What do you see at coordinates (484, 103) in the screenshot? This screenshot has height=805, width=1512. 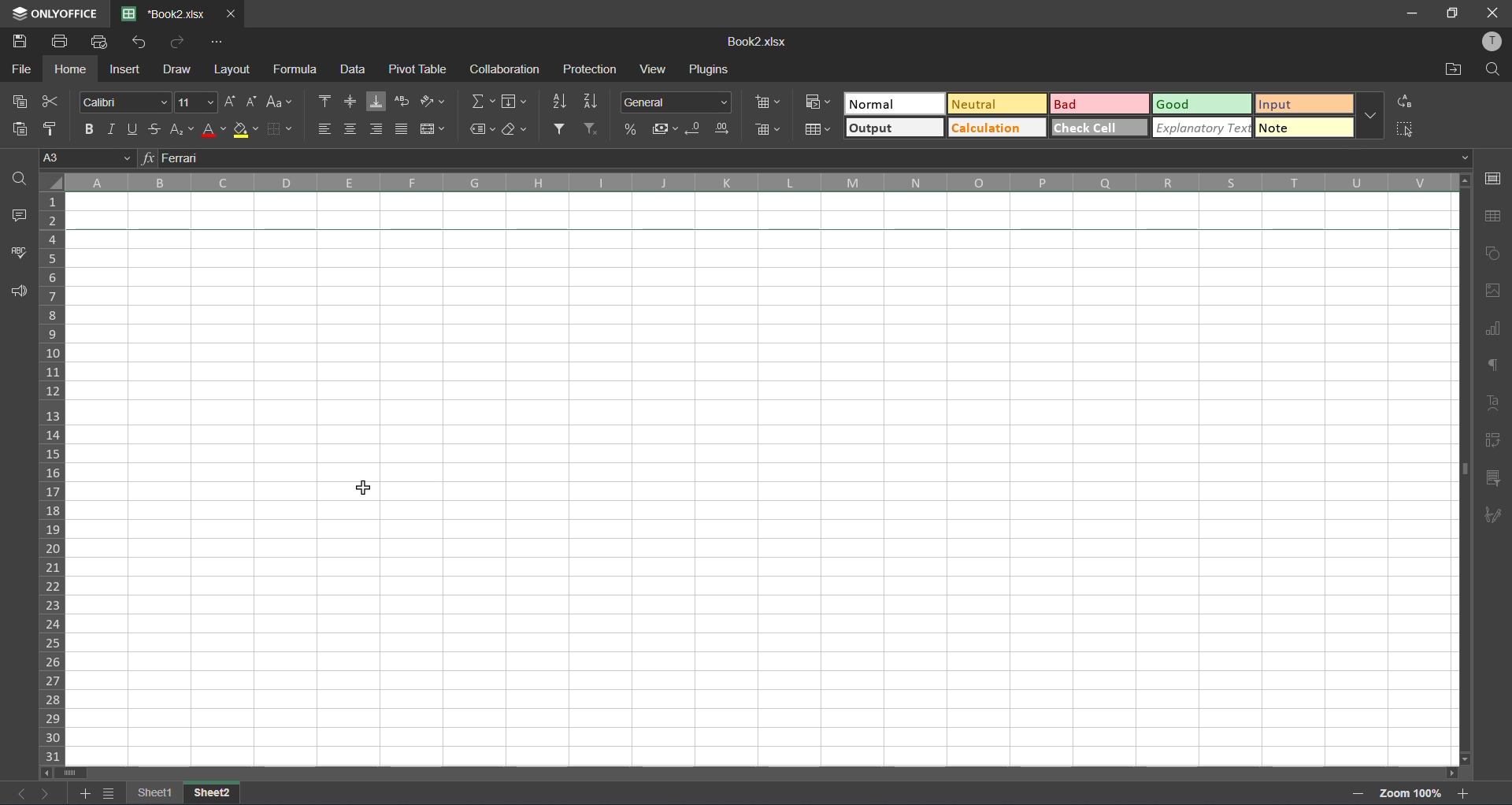 I see `summation` at bounding box center [484, 103].